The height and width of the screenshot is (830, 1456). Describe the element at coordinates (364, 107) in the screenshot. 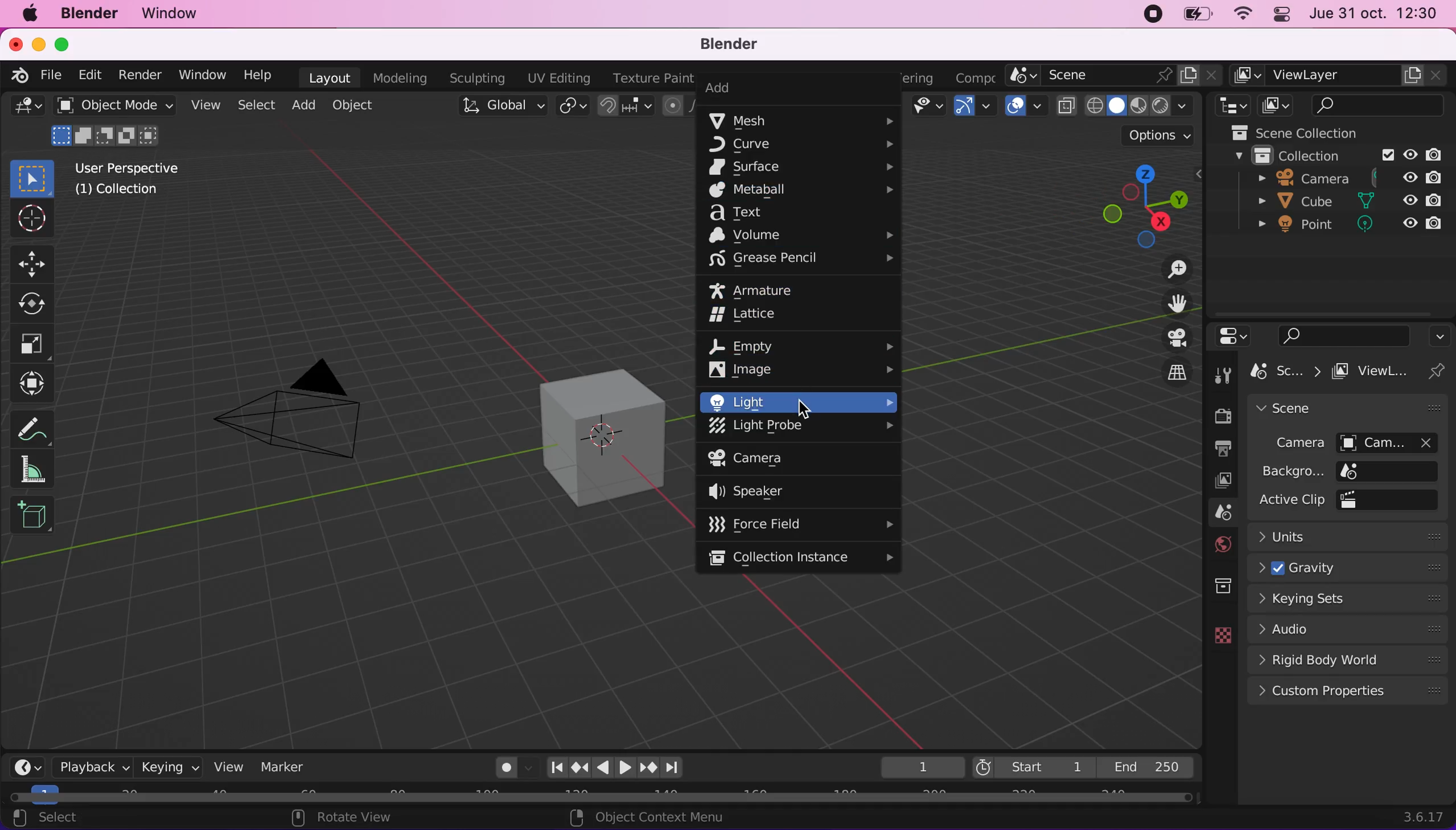

I see `object` at that location.